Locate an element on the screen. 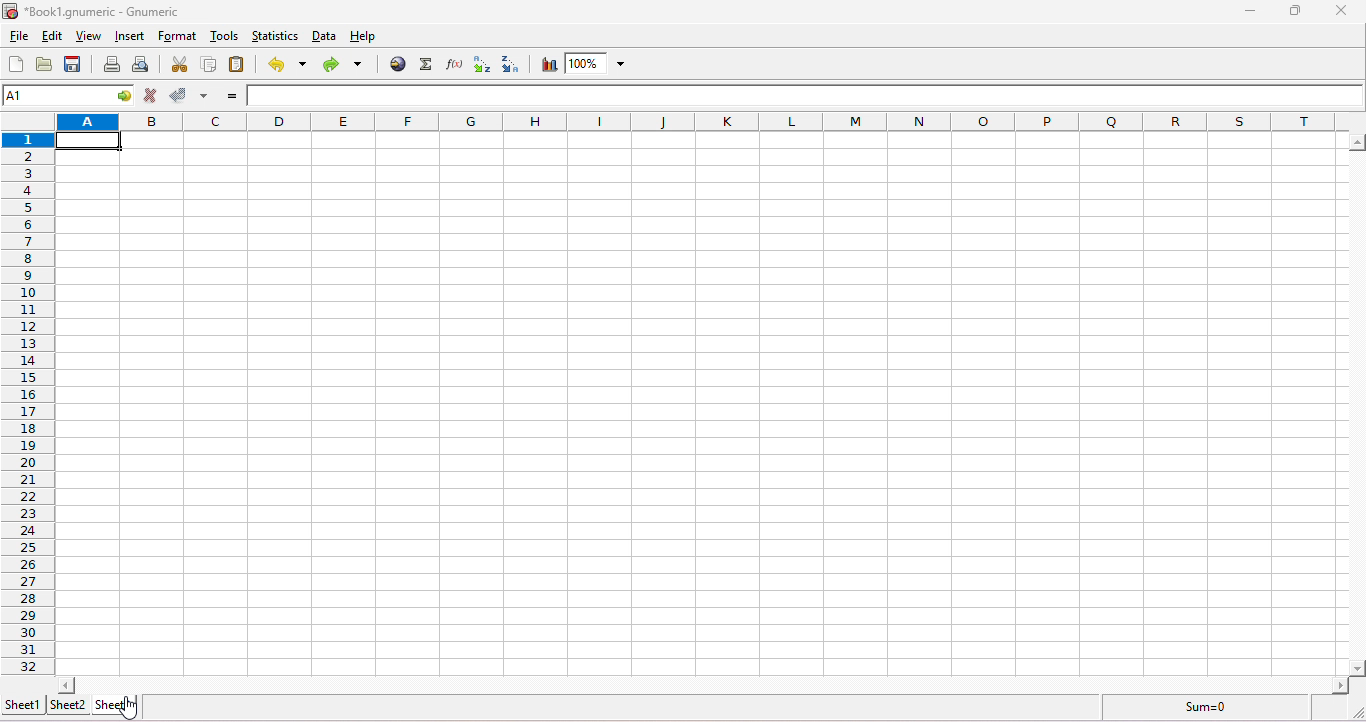 The width and height of the screenshot is (1366, 722). cells is located at coordinates (684, 398).